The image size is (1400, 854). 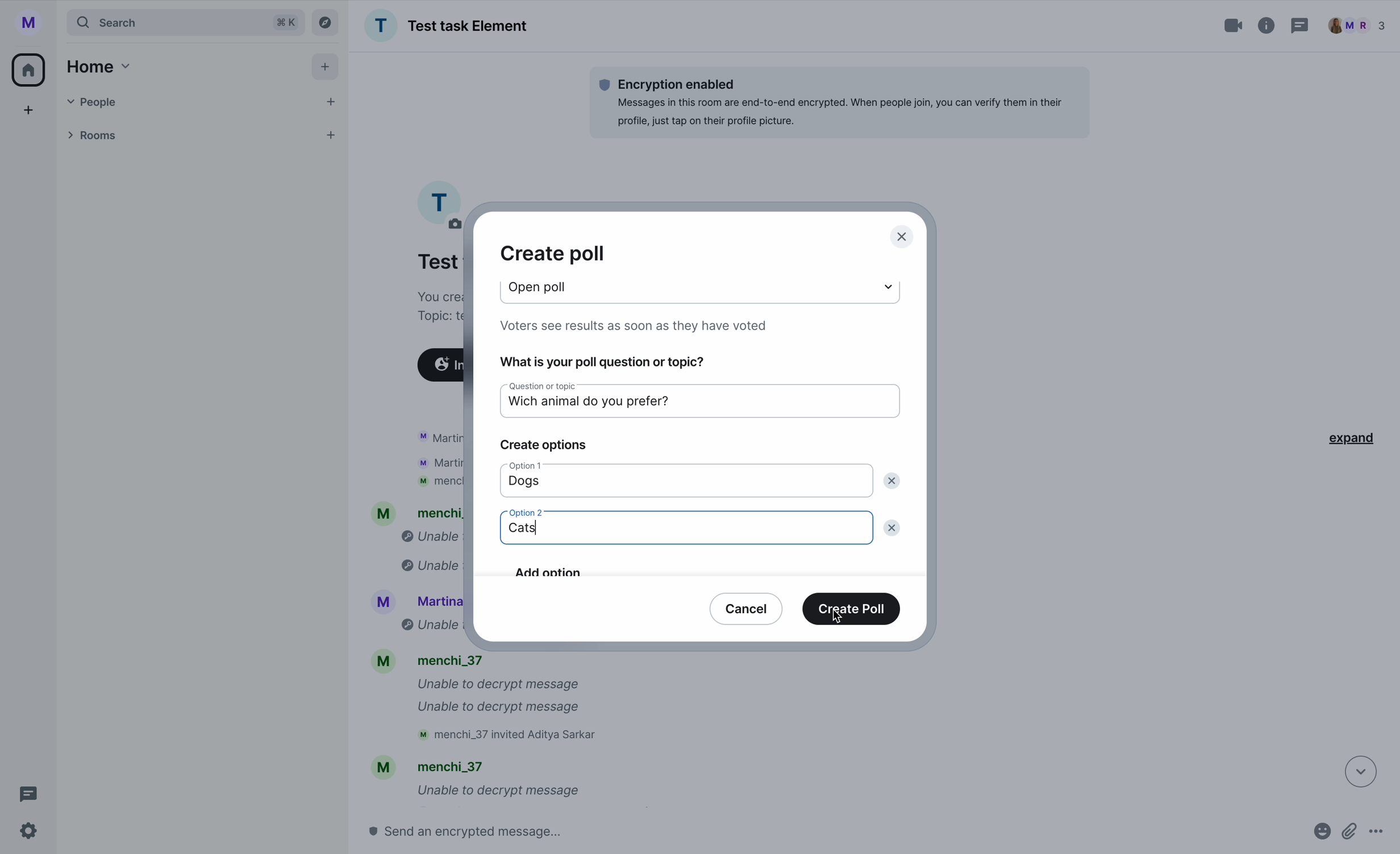 I want to click on Voters see results as soon as they have voted, so click(x=643, y=326).